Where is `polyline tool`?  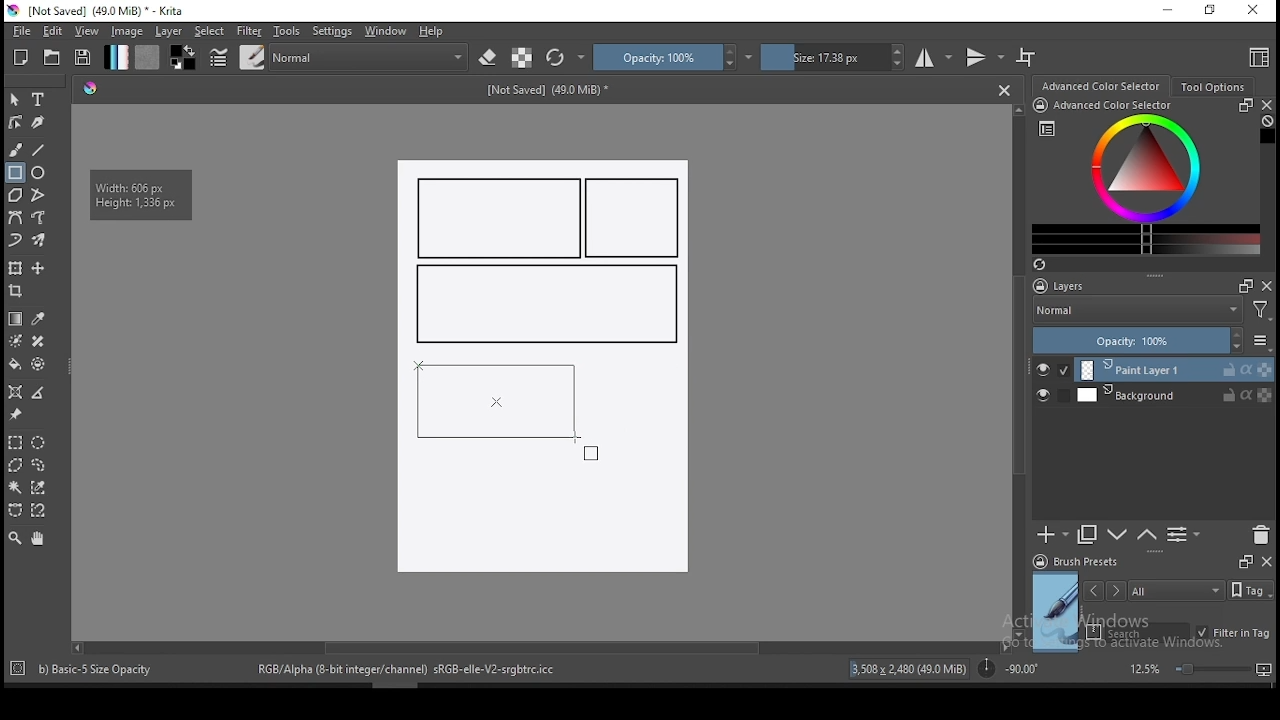
polyline tool is located at coordinates (38, 193).